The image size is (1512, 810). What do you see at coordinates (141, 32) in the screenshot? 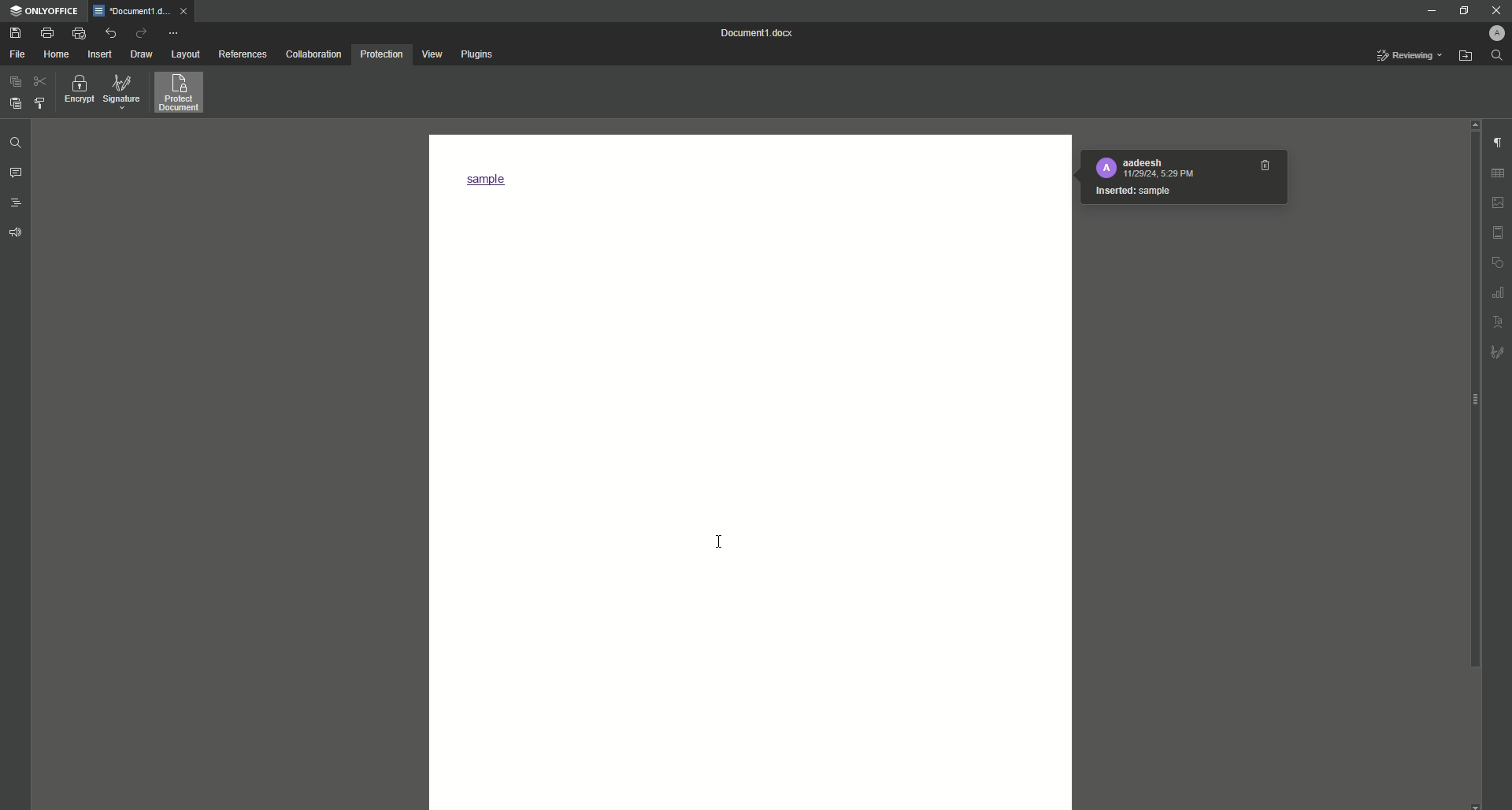
I see `Redo` at bounding box center [141, 32].